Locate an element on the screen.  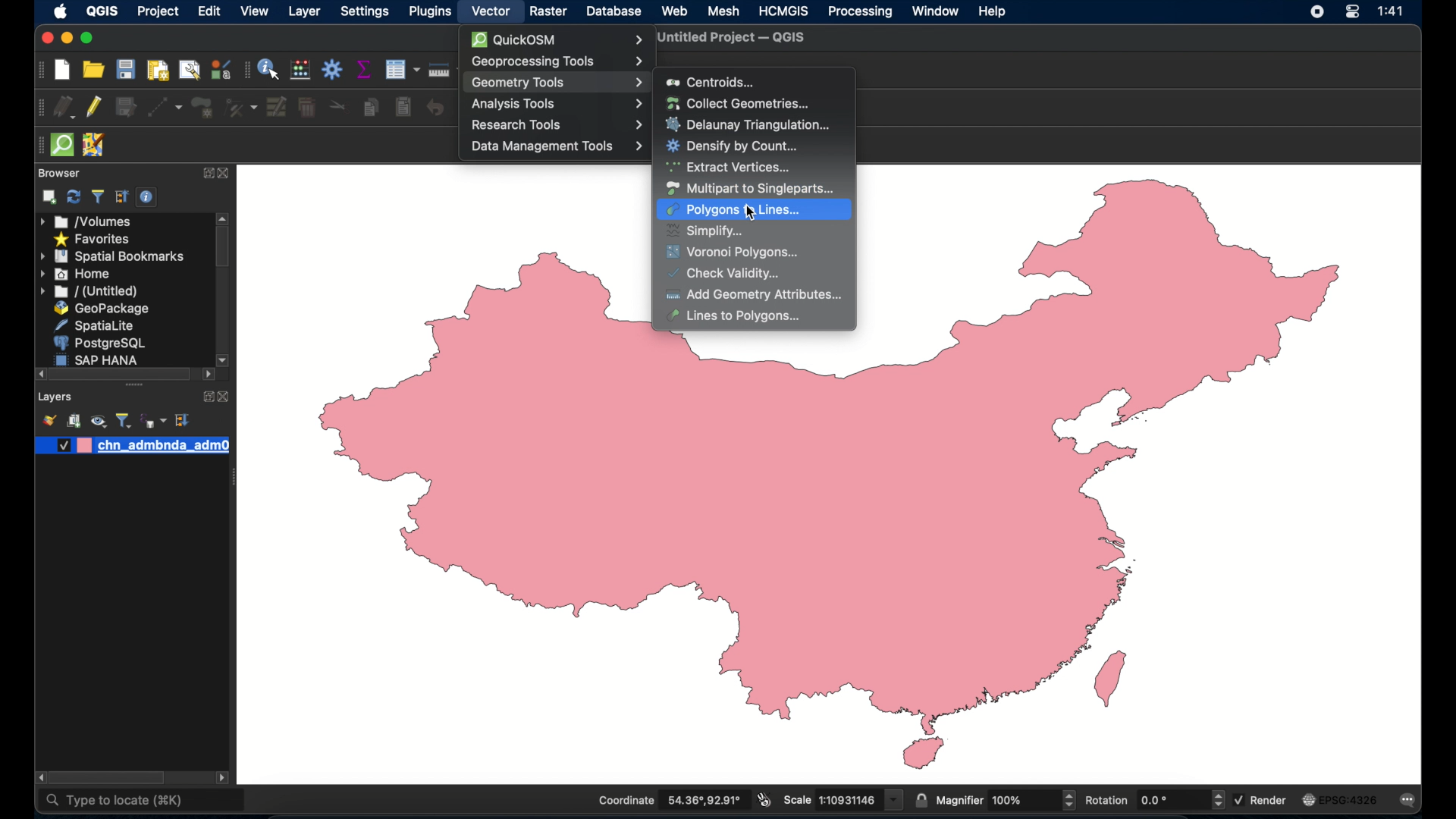
add selected layers is located at coordinates (50, 197).